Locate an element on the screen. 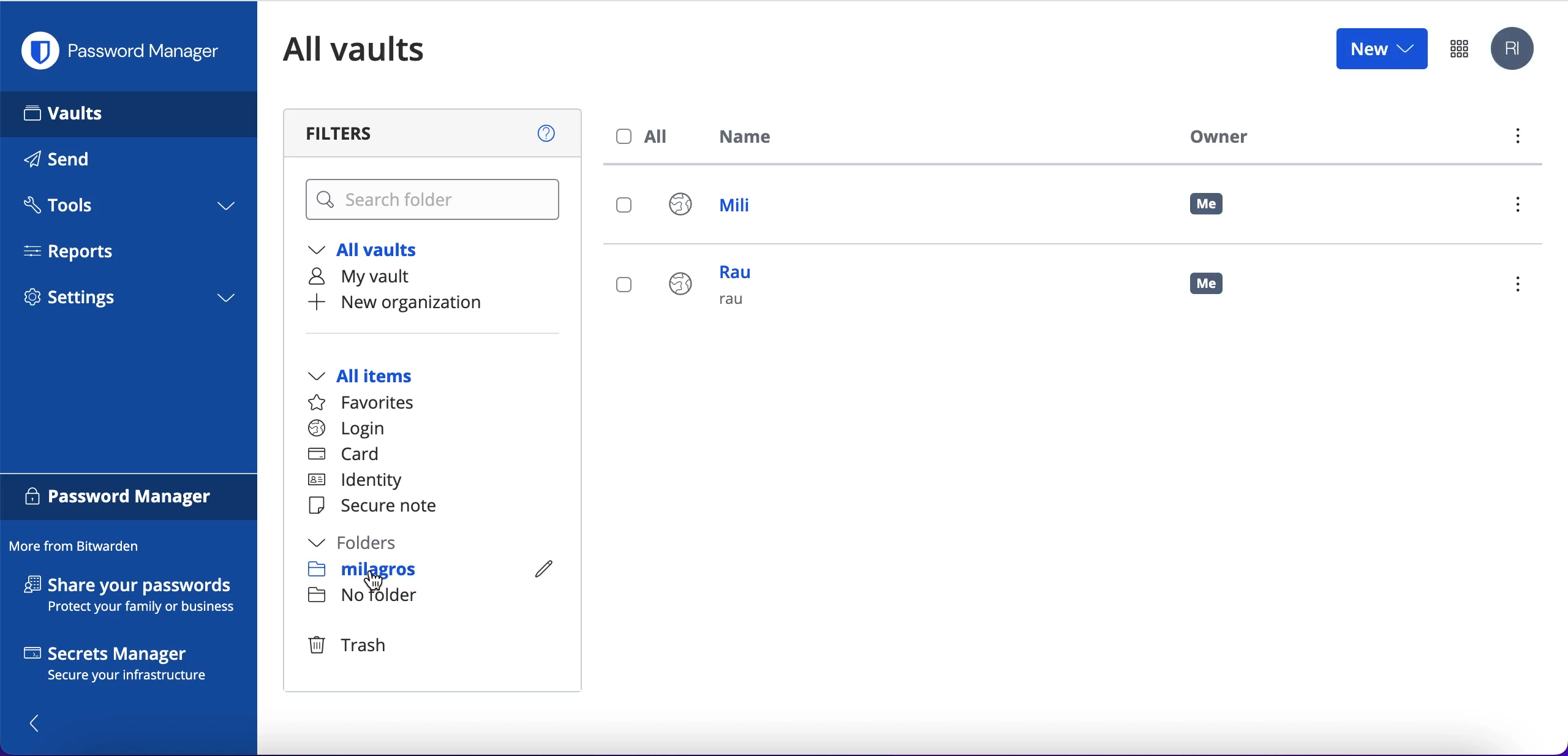 The height and width of the screenshot is (756, 1568). login is located at coordinates (347, 429).